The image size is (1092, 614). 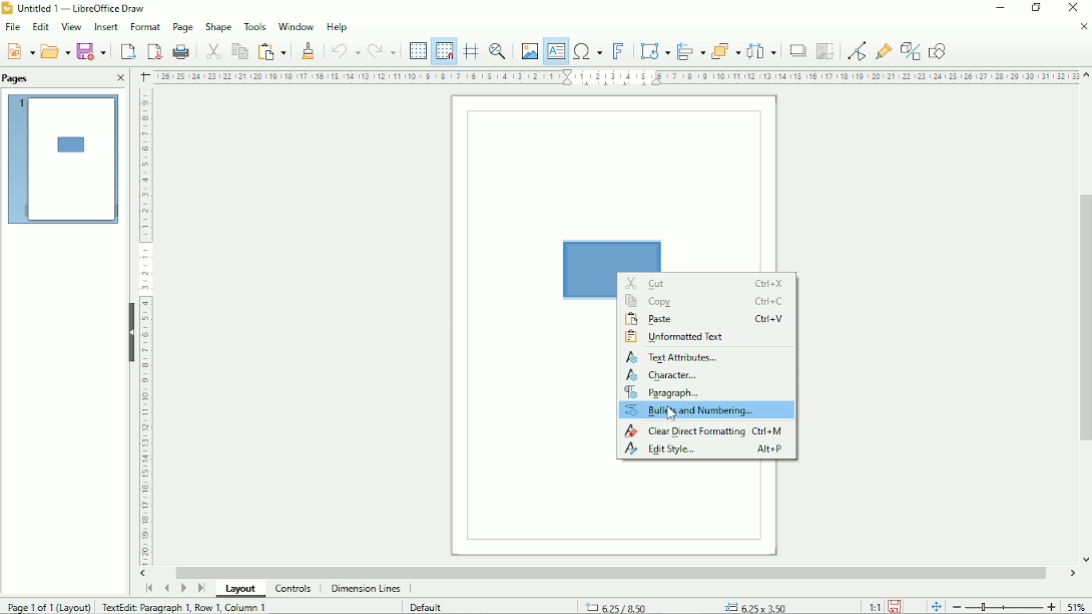 I want to click on Tools, so click(x=254, y=26).